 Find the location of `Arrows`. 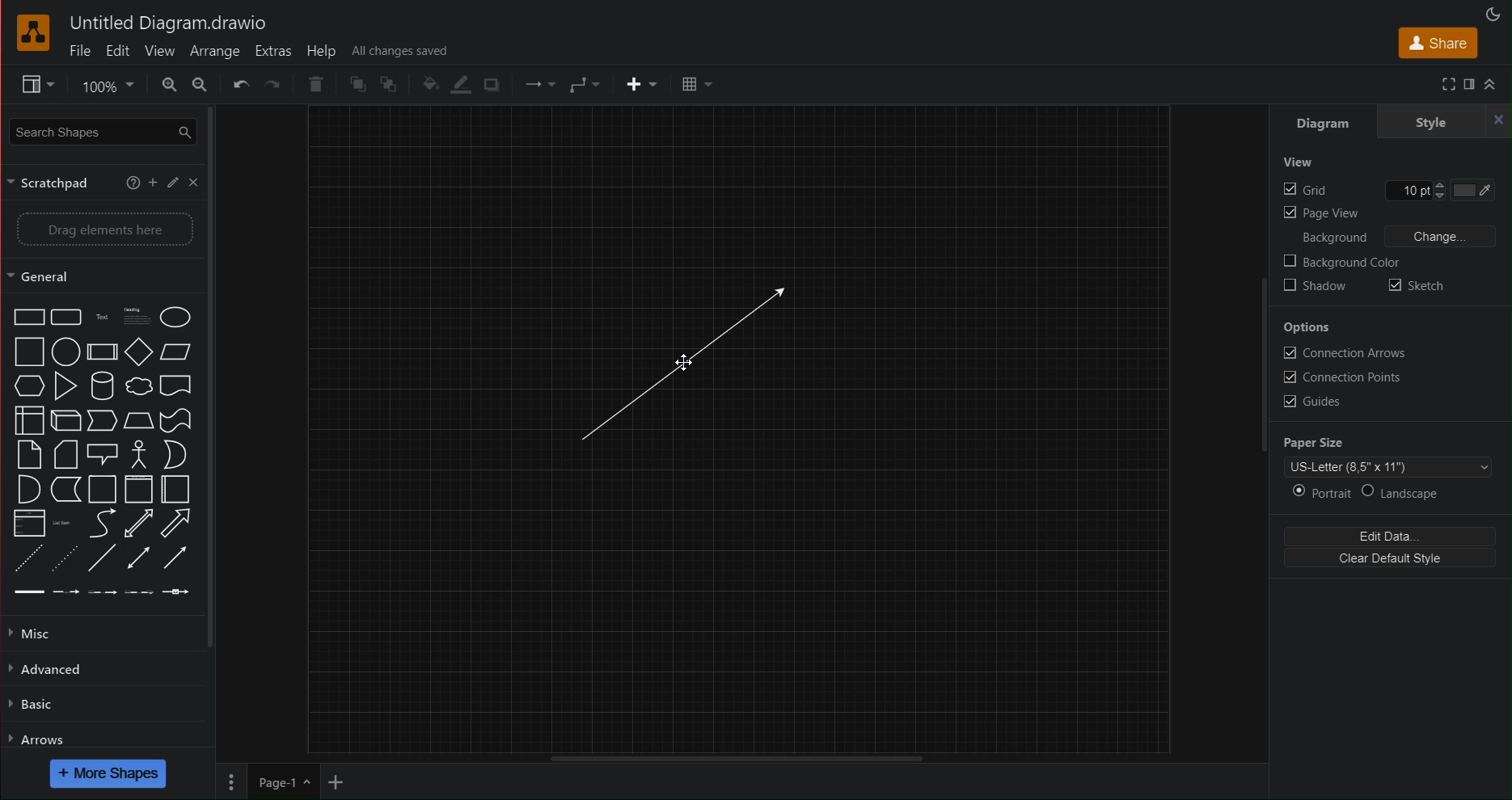

Arrows is located at coordinates (38, 739).